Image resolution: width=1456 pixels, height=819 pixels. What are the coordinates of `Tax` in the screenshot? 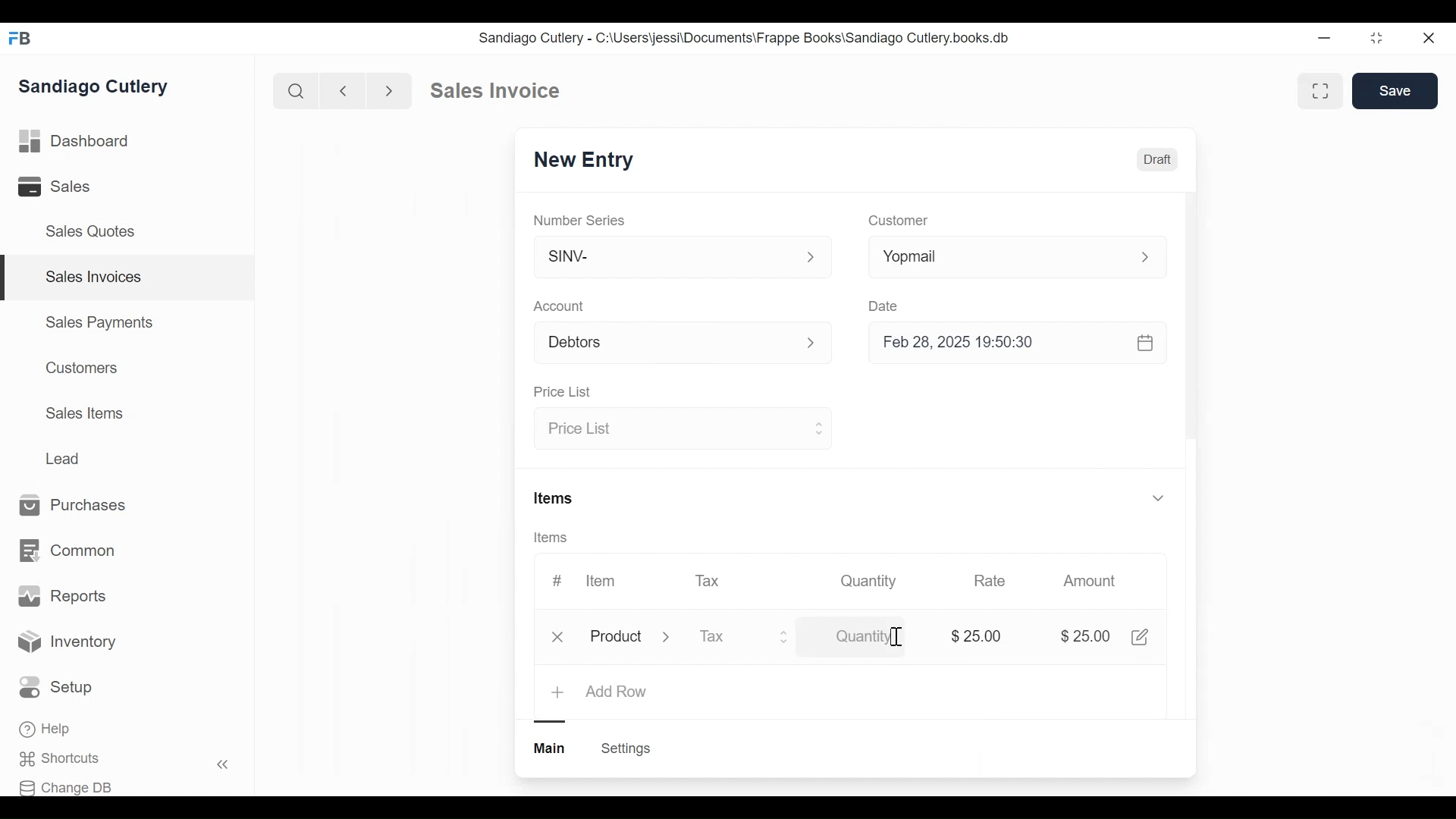 It's located at (708, 580).